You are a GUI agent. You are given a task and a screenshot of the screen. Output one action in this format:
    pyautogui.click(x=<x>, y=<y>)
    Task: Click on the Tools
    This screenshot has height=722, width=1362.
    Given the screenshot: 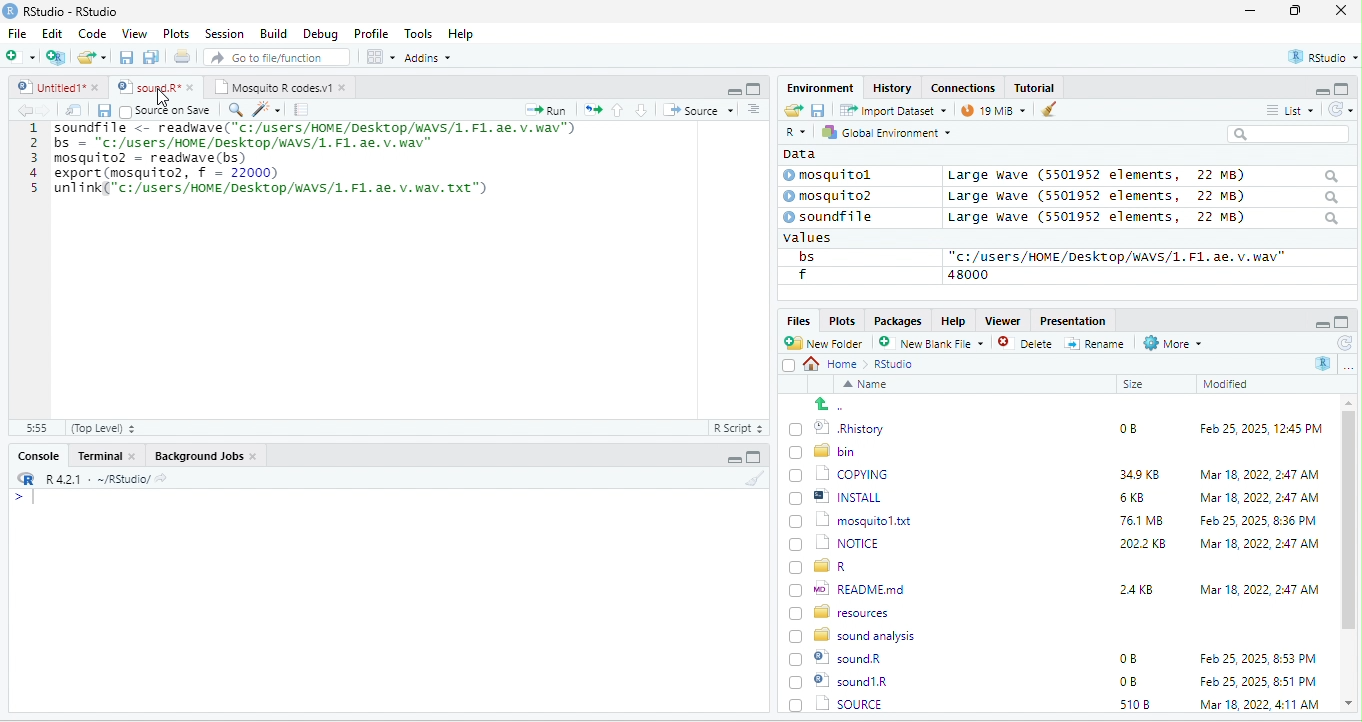 What is the action you would take?
    pyautogui.click(x=419, y=33)
    